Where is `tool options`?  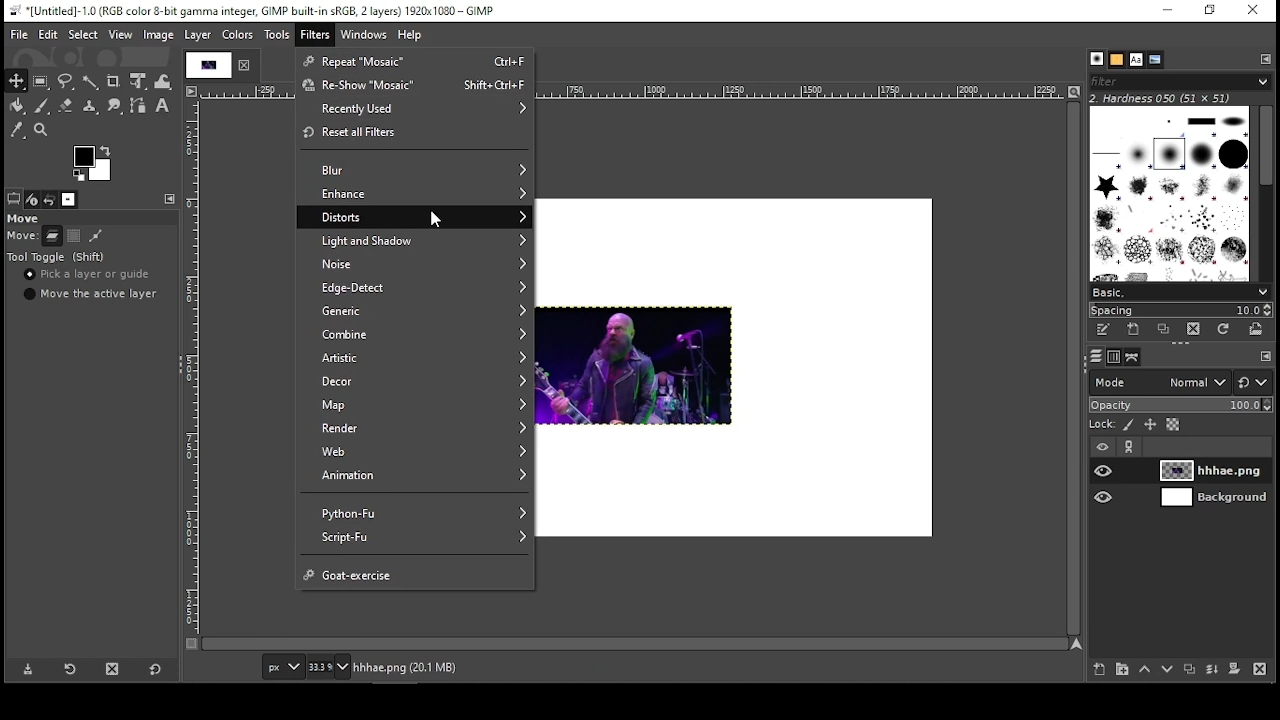
tool options is located at coordinates (12, 199).